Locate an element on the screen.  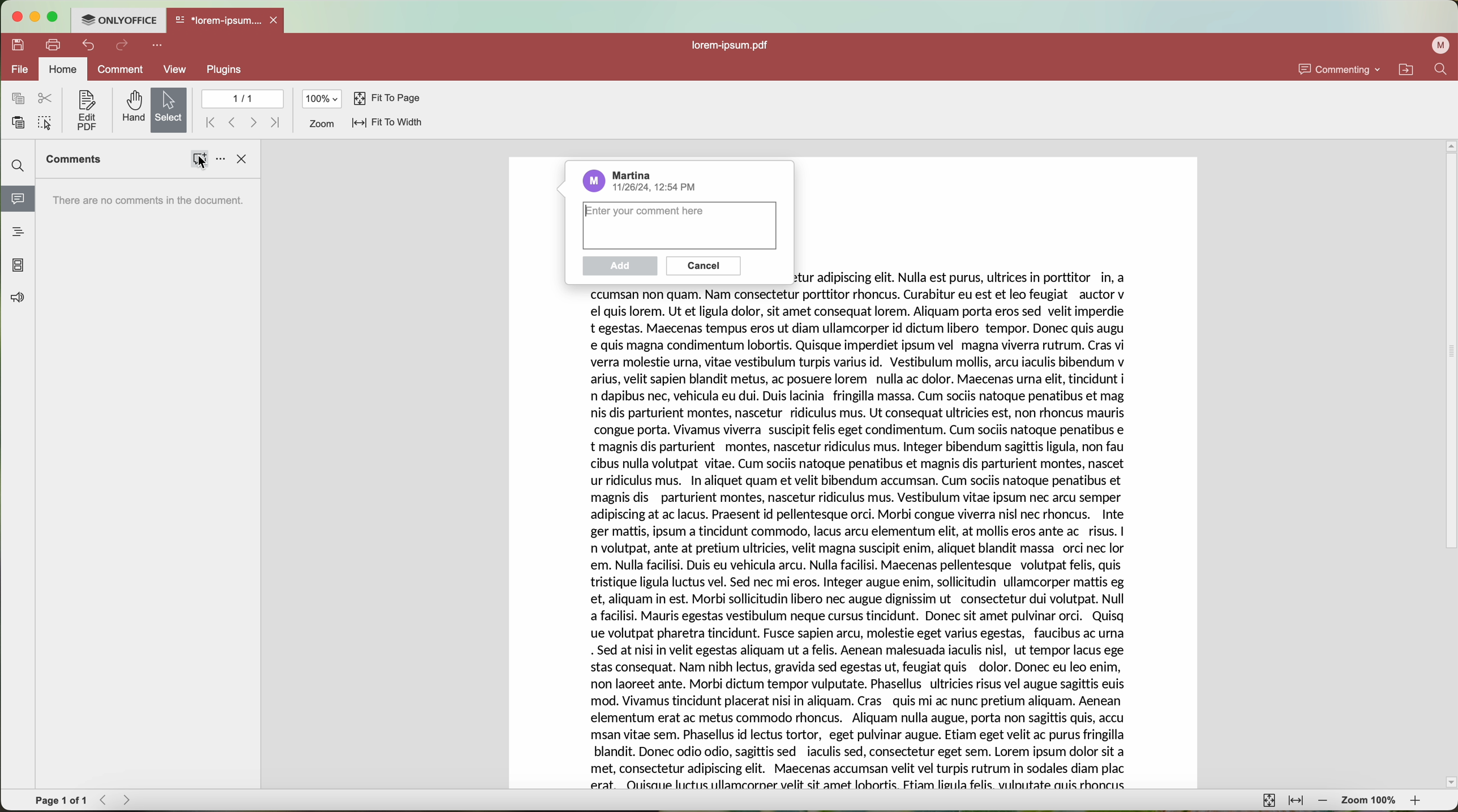
page thumbnails is located at coordinates (18, 266).